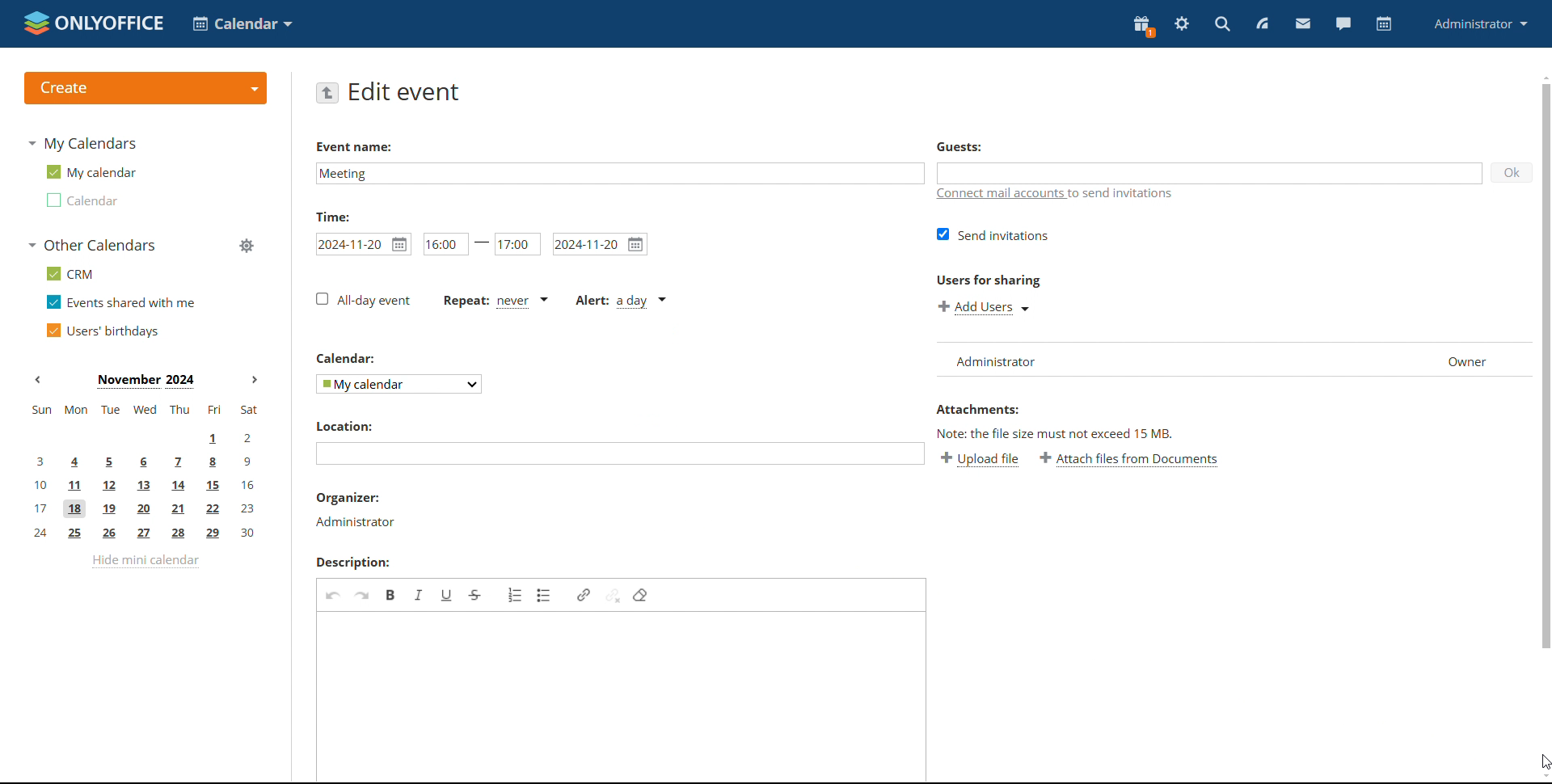 Image resolution: width=1552 pixels, height=784 pixels. Describe the element at coordinates (257, 381) in the screenshot. I see `next month` at that location.